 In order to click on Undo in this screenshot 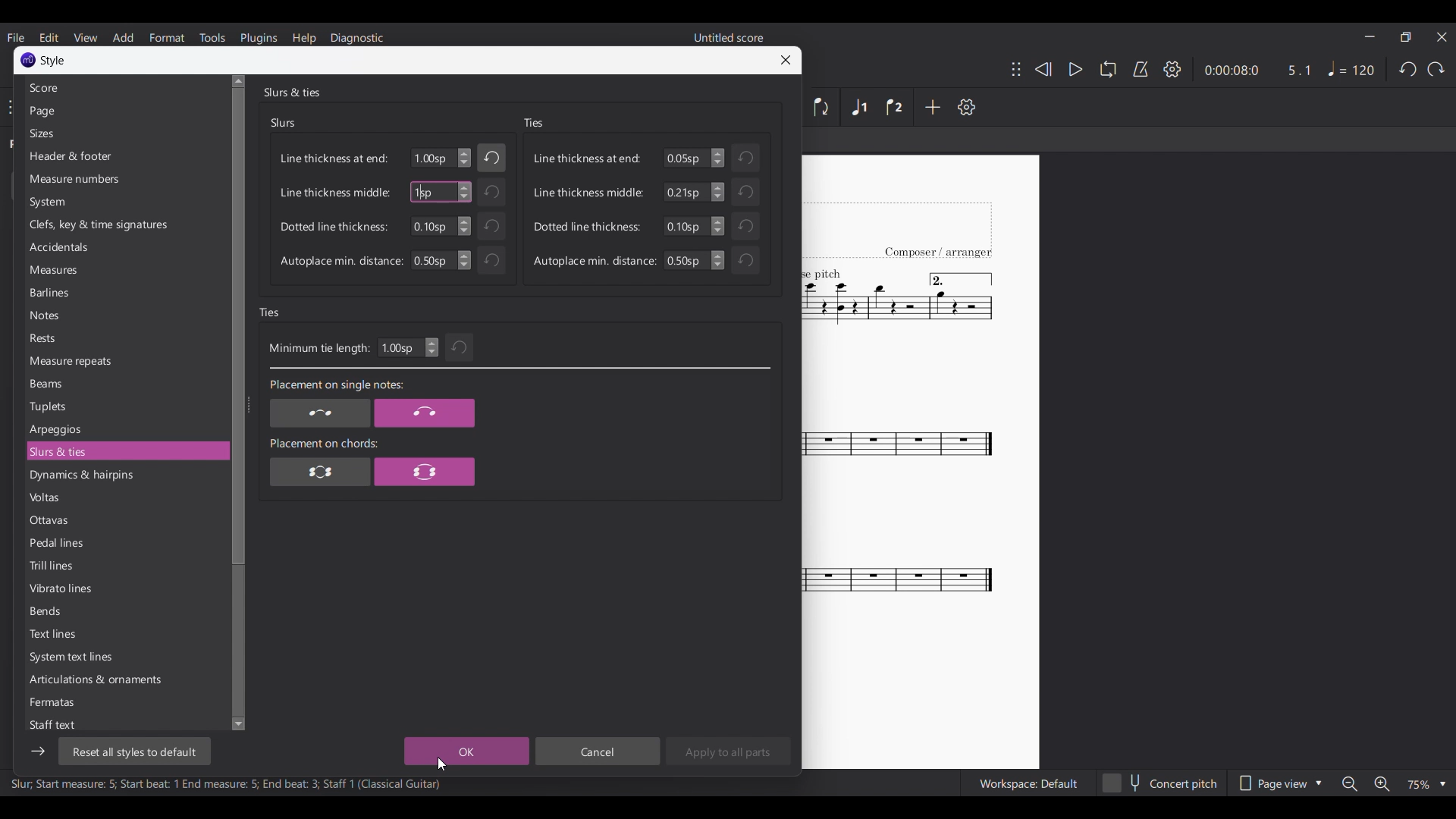, I will do `click(745, 191)`.